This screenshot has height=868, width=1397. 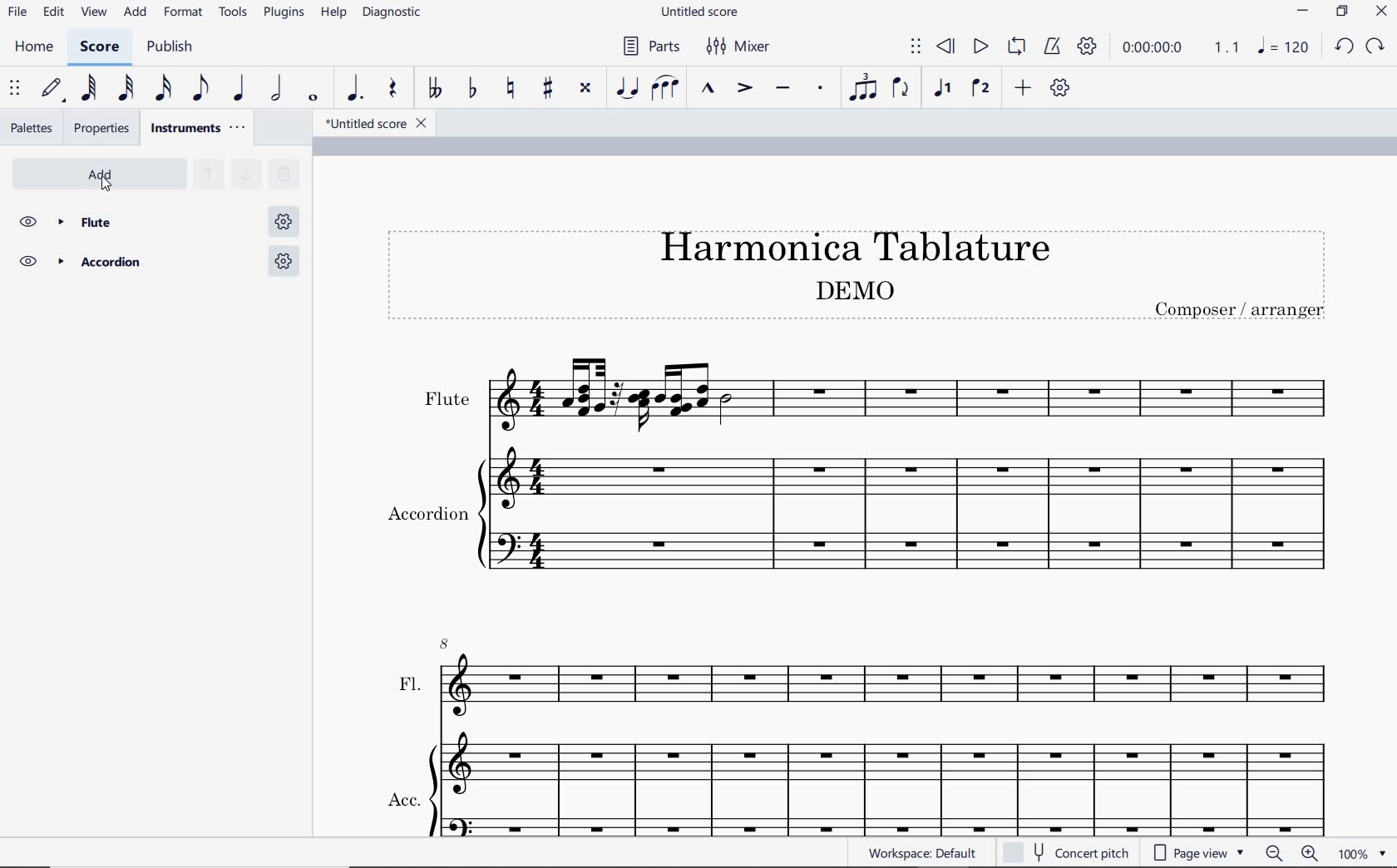 I want to click on toggle sharp, so click(x=547, y=89).